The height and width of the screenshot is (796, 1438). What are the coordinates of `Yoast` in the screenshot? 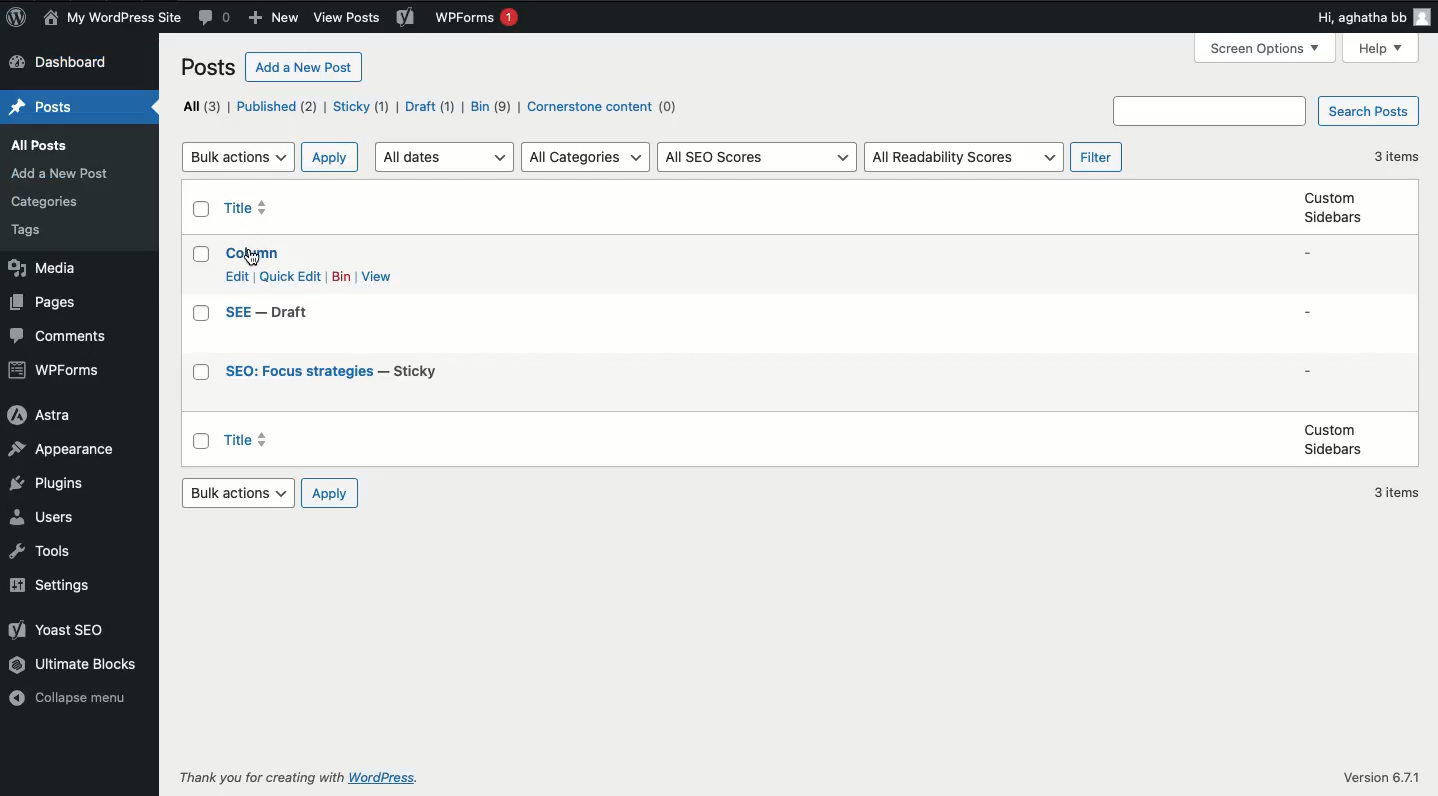 It's located at (408, 18).